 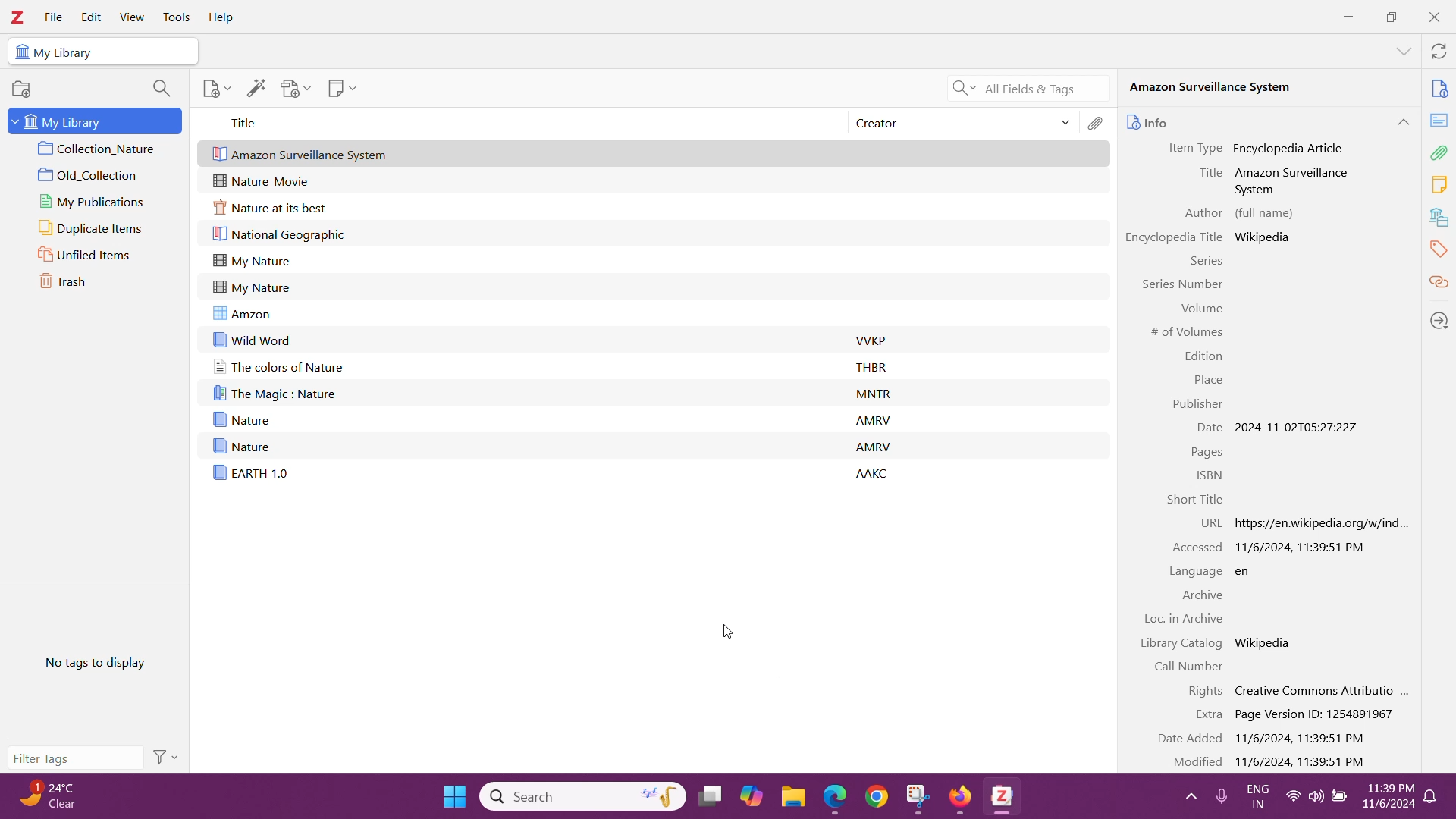 I want to click on Extra Details, so click(x=1315, y=714).